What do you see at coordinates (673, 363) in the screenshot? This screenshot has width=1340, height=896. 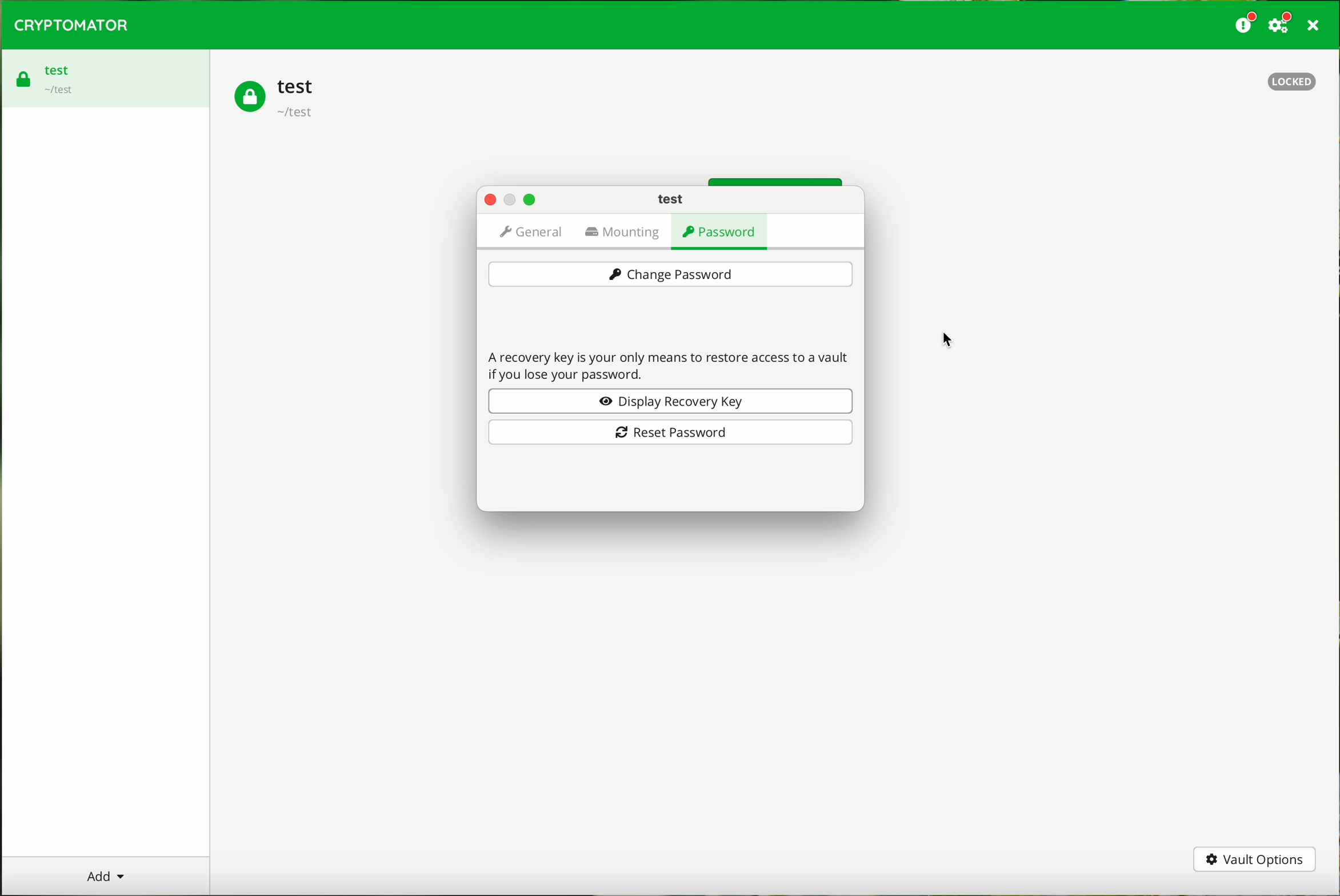 I see `A recovery key is your only means to restore access to a vault
if you lose your password.` at bounding box center [673, 363].